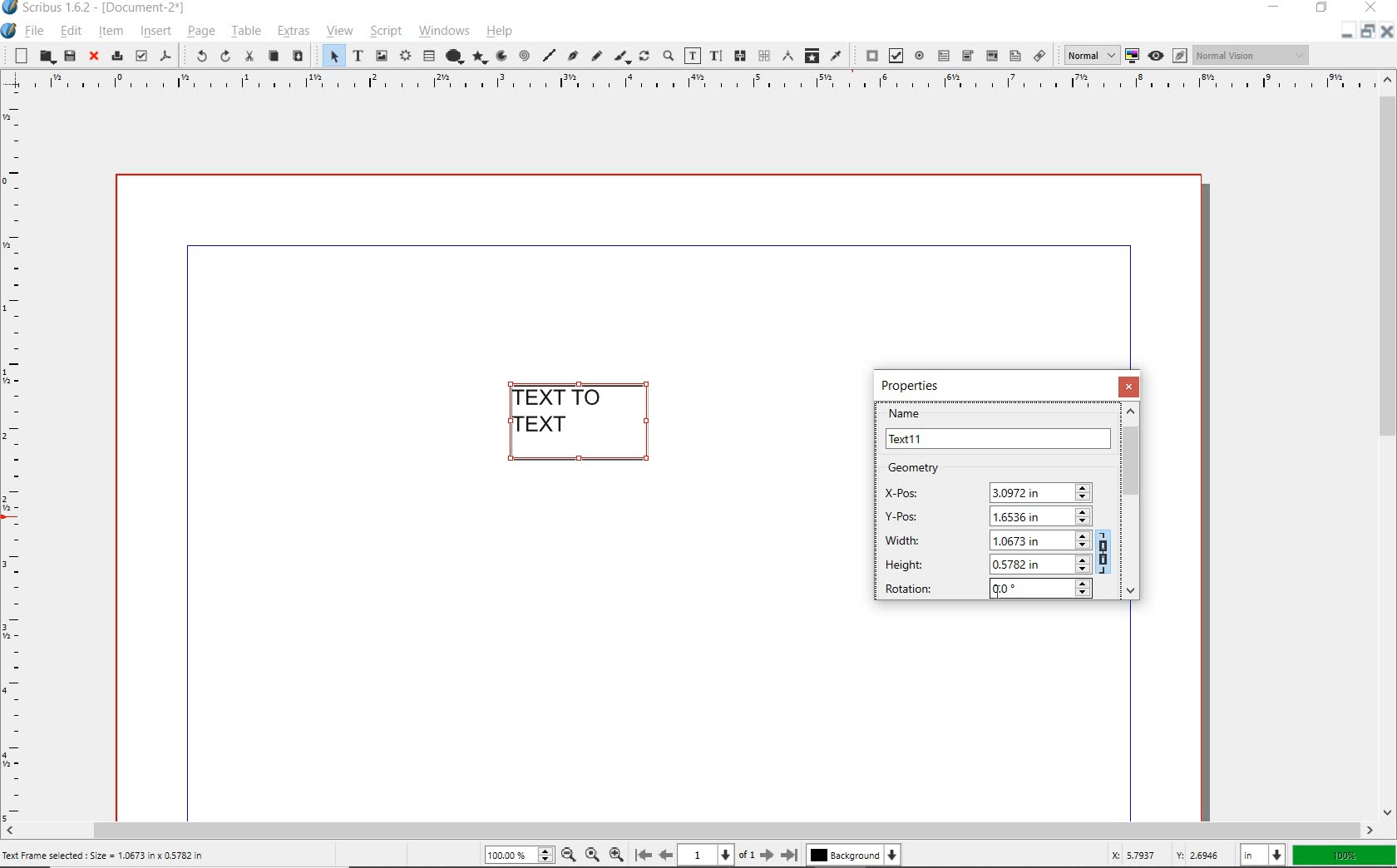 This screenshot has height=868, width=1397. Describe the element at coordinates (224, 57) in the screenshot. I see `redo` at that location.